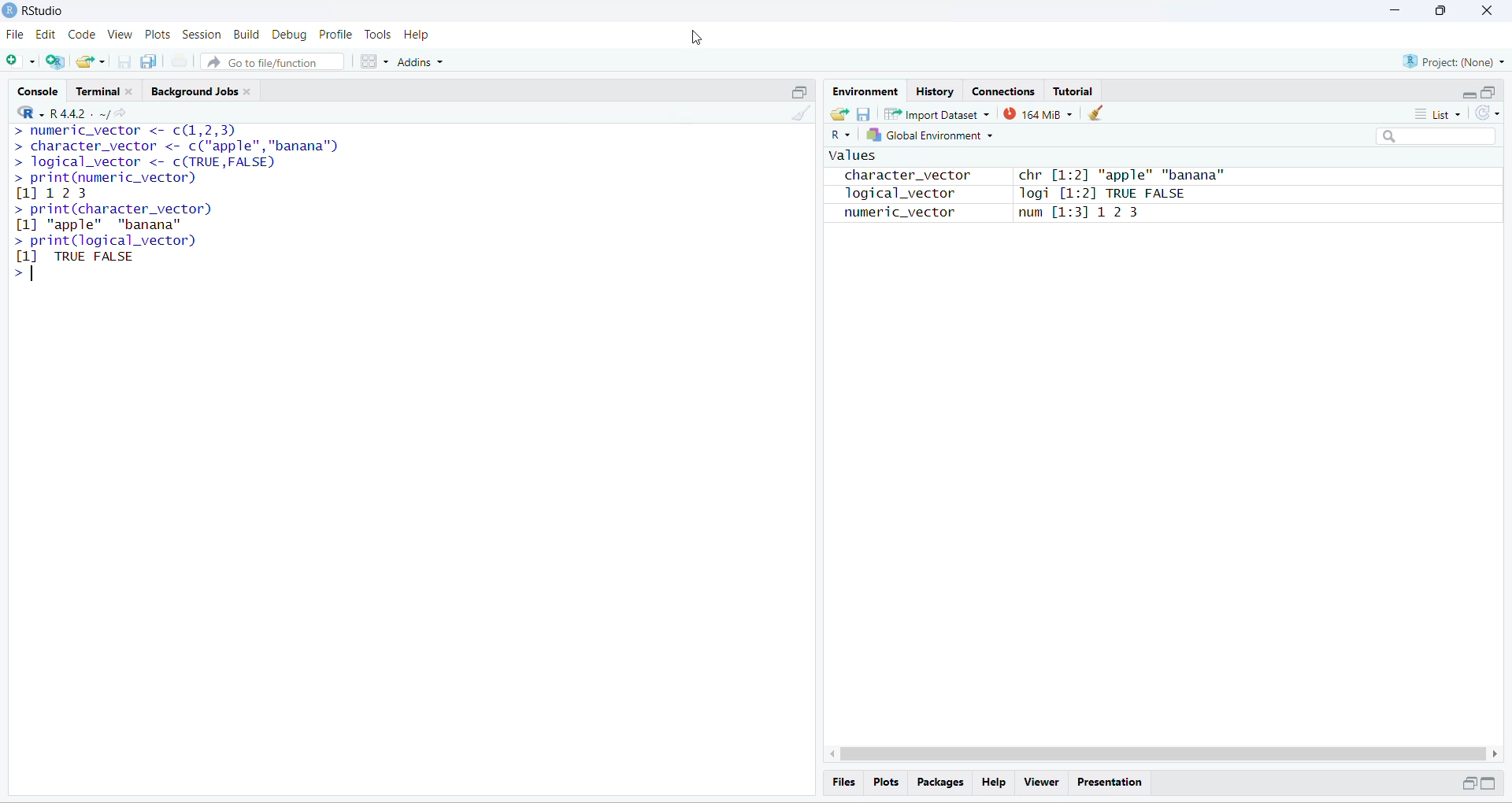 The height and width of the screenshot is (803, 1512). What do you see at coordinates (935, 90) in the screenshot?
I see `History` at bounding box center [935, 90].